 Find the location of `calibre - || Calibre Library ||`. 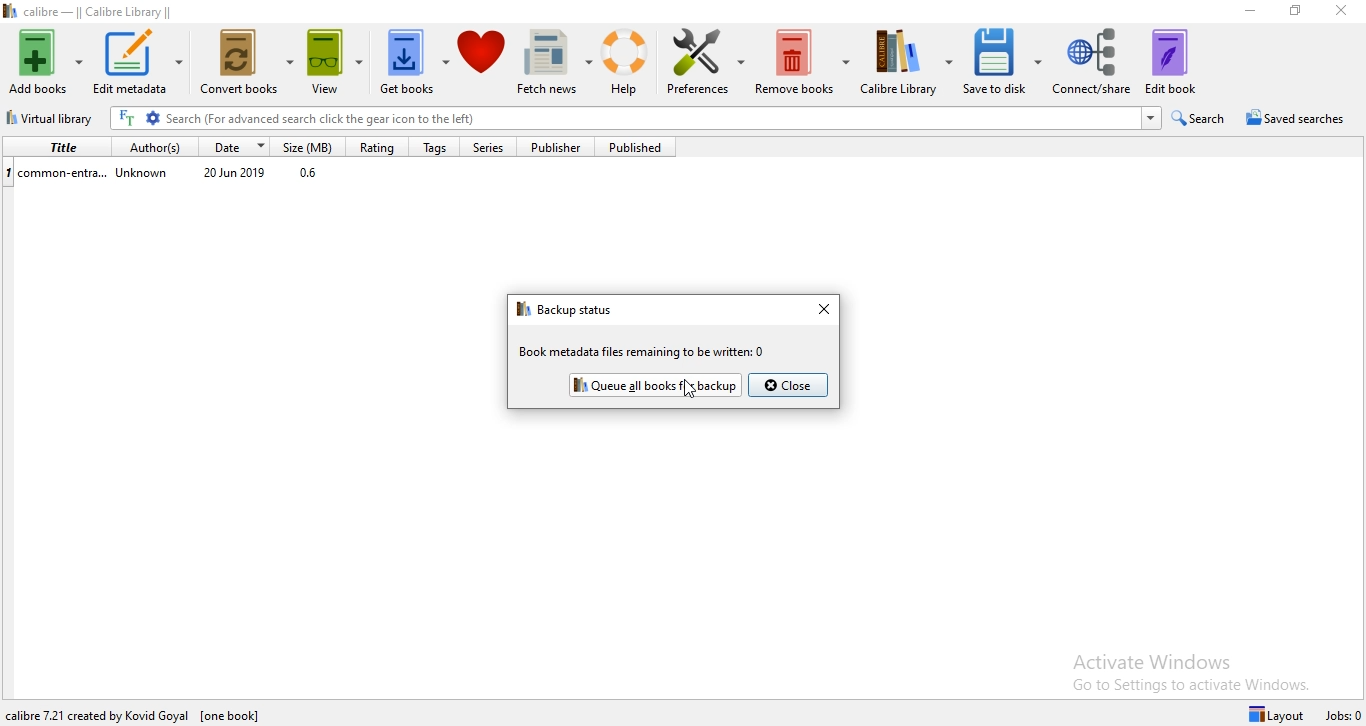

calibre - || Calibre Library || is located at coordinates (112, 11).